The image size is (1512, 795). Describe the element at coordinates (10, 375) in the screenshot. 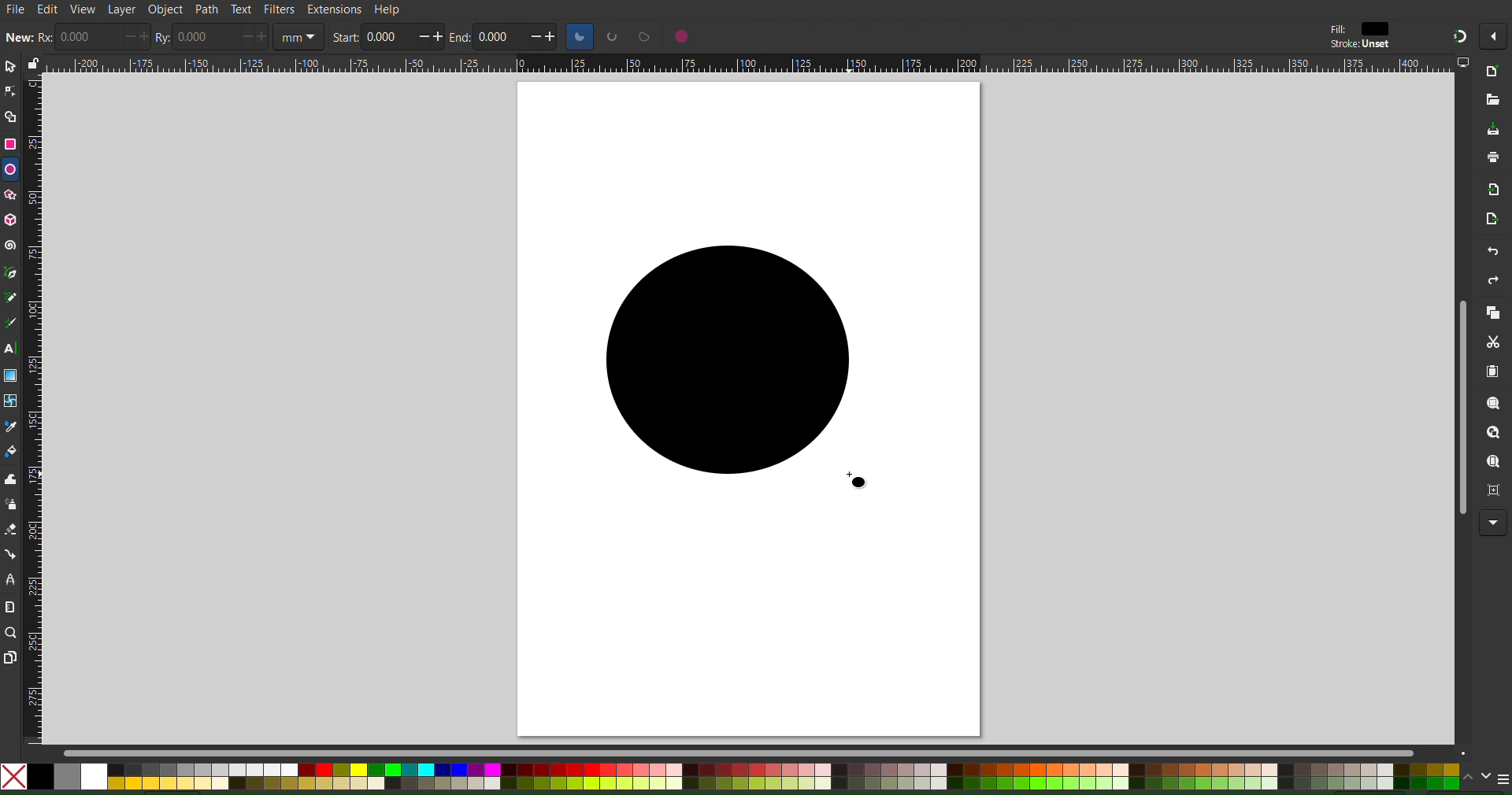

I see `Gradient Tool` at that location.